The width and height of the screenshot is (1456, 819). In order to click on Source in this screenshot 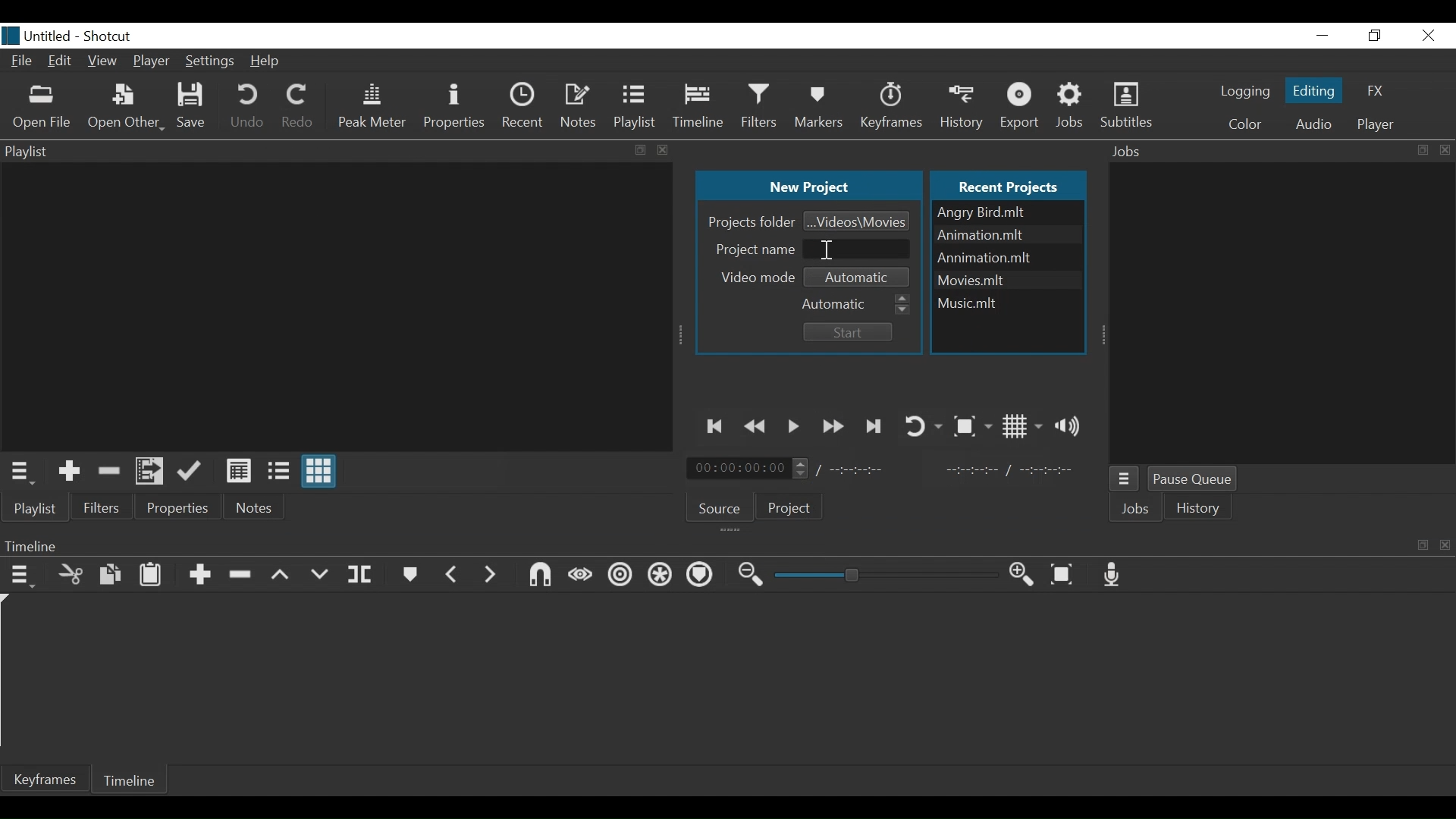, I will do `click(720, 506)`.